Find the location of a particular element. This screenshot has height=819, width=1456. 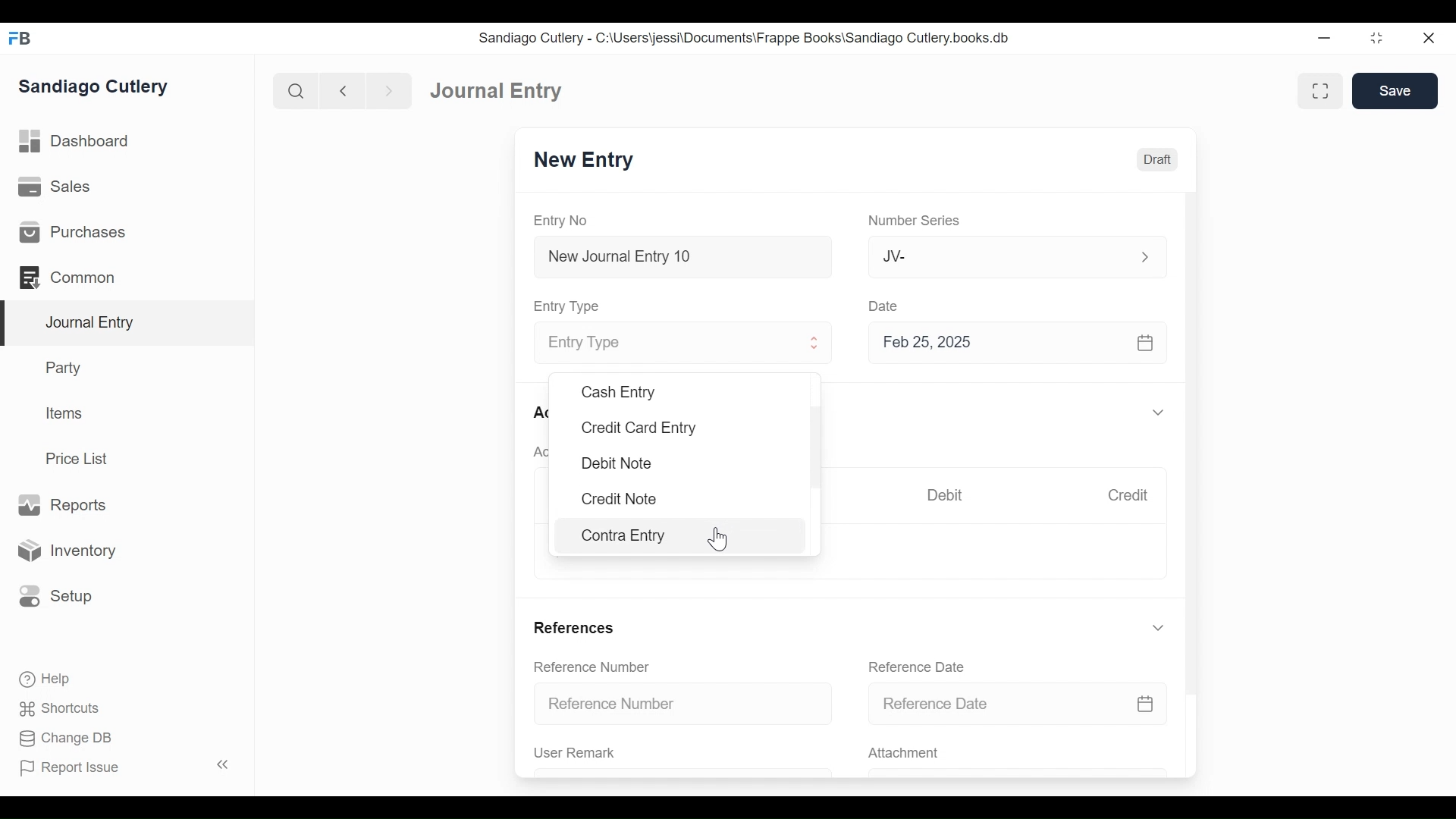

Reference Number is located at coordinates (686, 704).